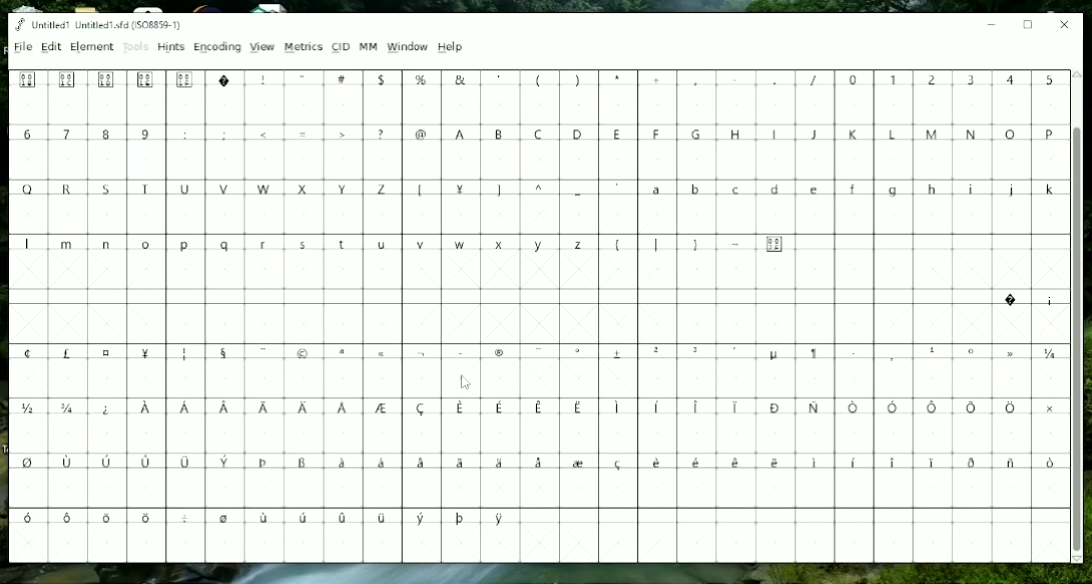  Describe the element at coordinates (956, 80) in the screenshot. I see `Numbers` at that location.